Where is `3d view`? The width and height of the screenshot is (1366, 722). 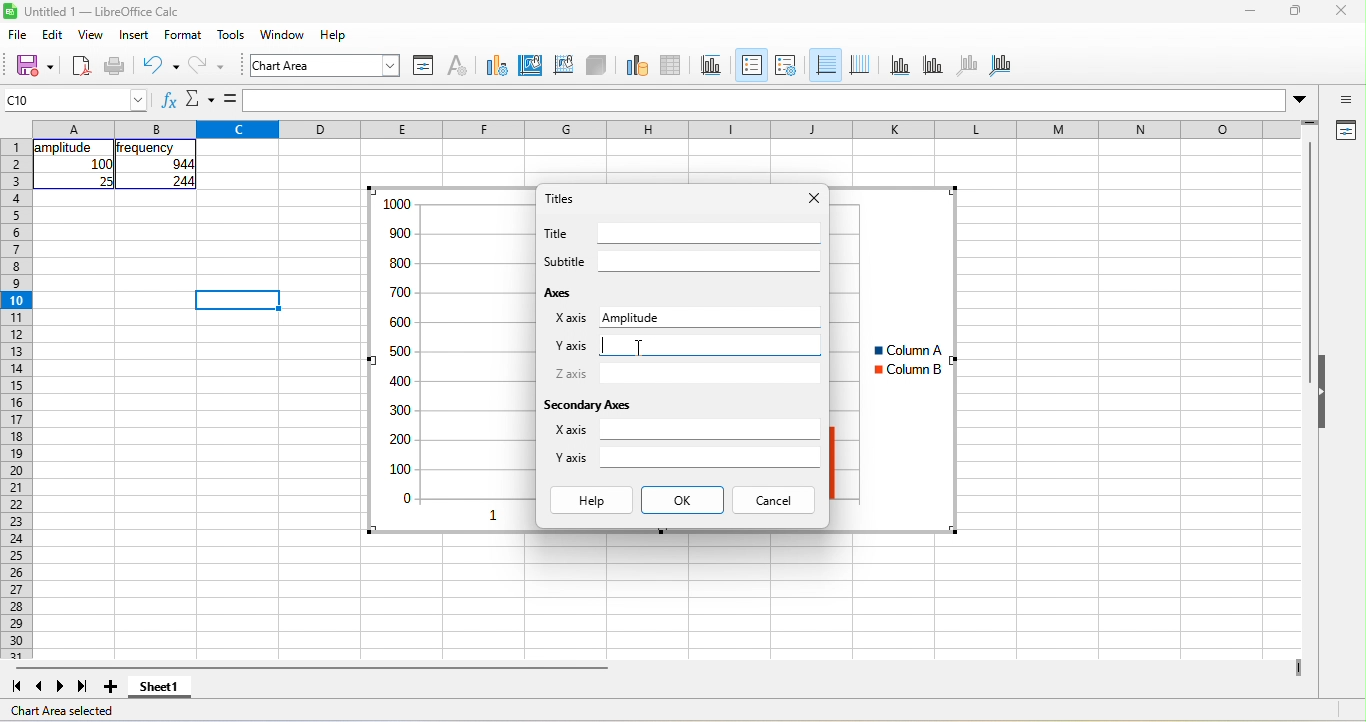
3d view is located at coordinates (596, 66).